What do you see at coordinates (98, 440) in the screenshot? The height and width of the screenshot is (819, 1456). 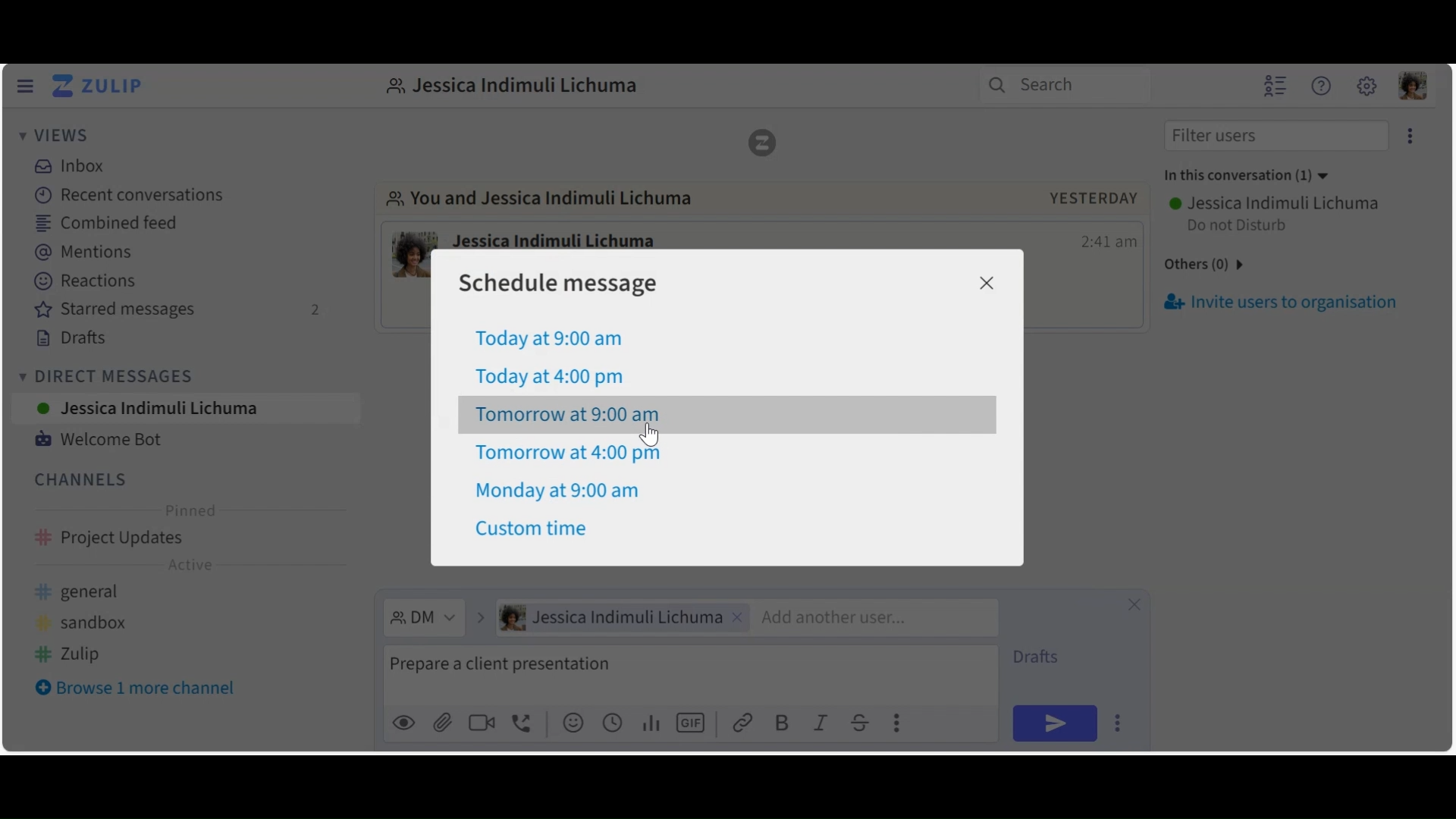 I see `Welcome Bot` at bounding box center [98, 440].